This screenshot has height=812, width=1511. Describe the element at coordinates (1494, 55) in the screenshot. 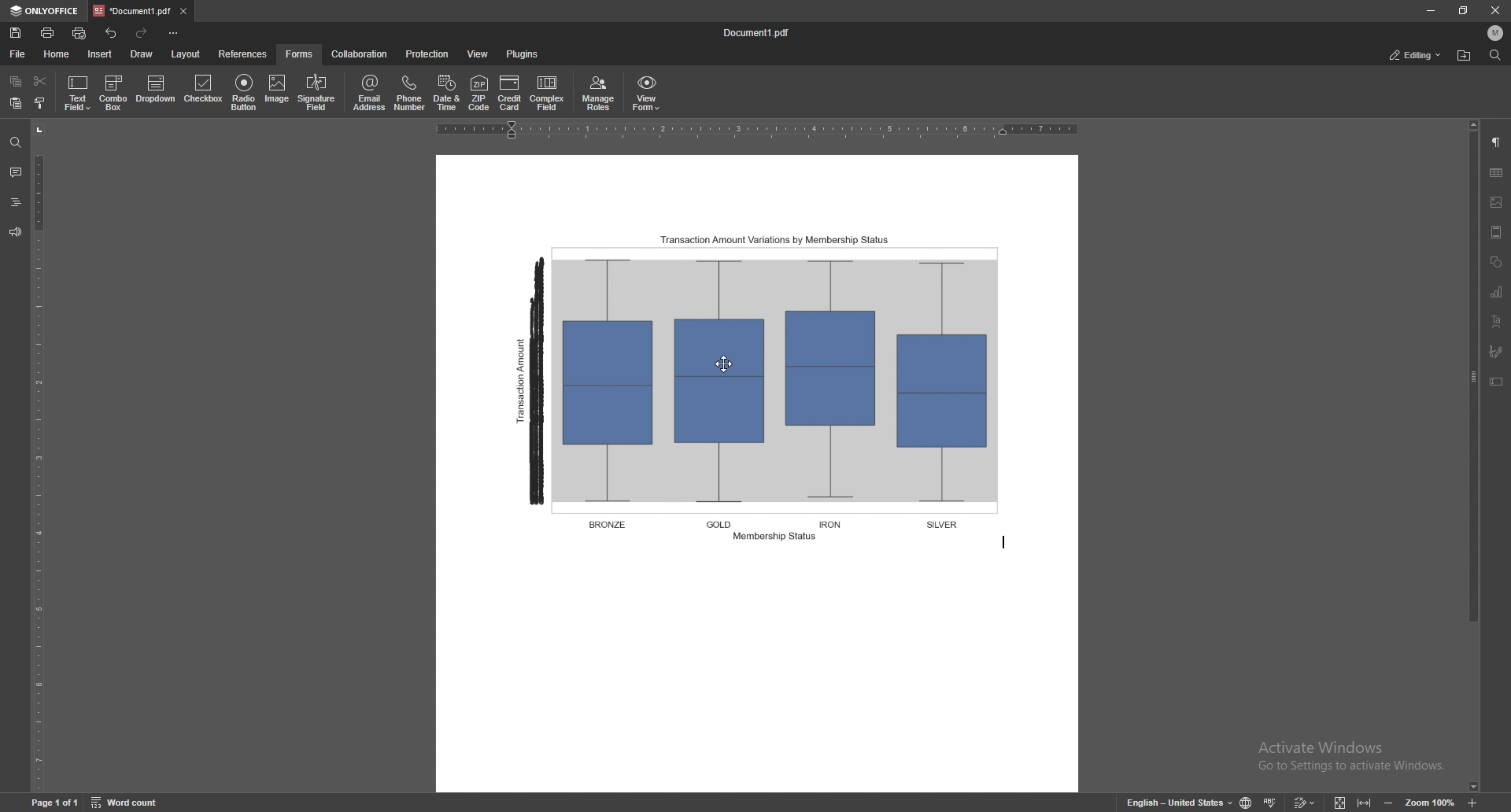

I see `find` at that location.